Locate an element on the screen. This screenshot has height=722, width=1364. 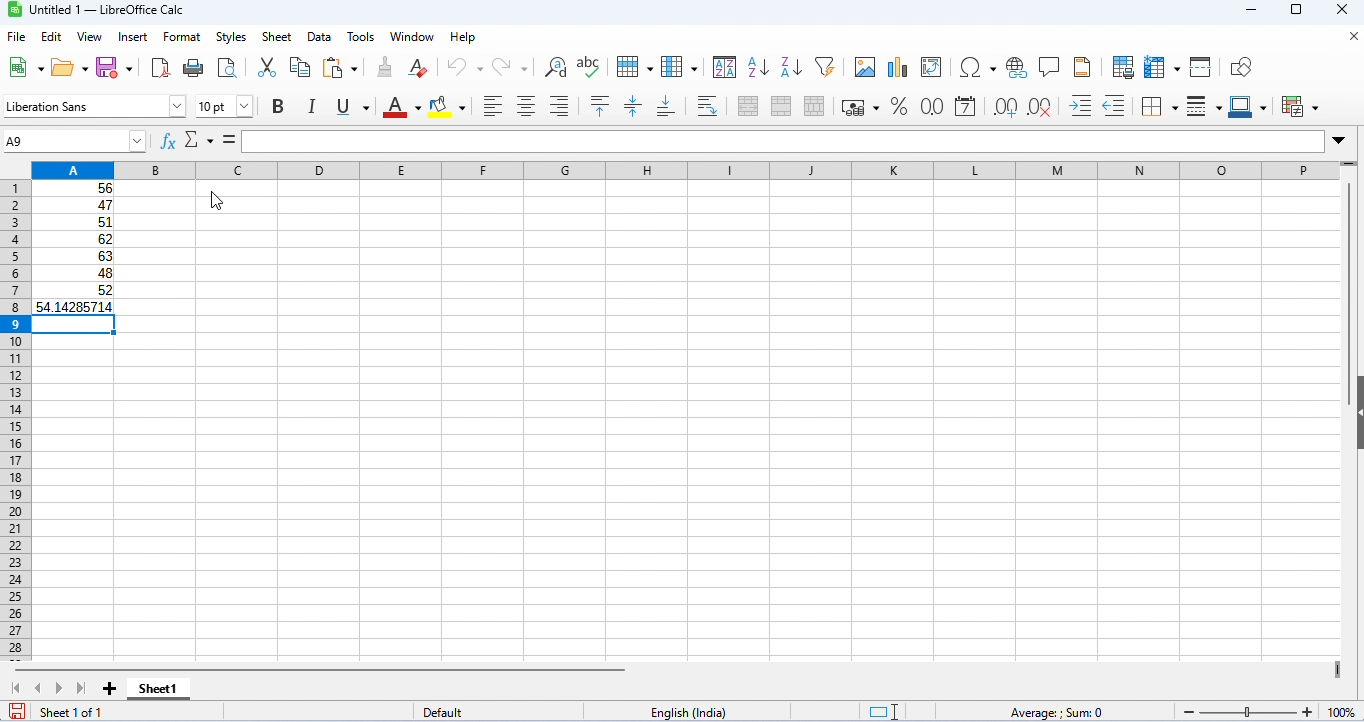
vertical scroll bar is located at coordinates (1349, 271).